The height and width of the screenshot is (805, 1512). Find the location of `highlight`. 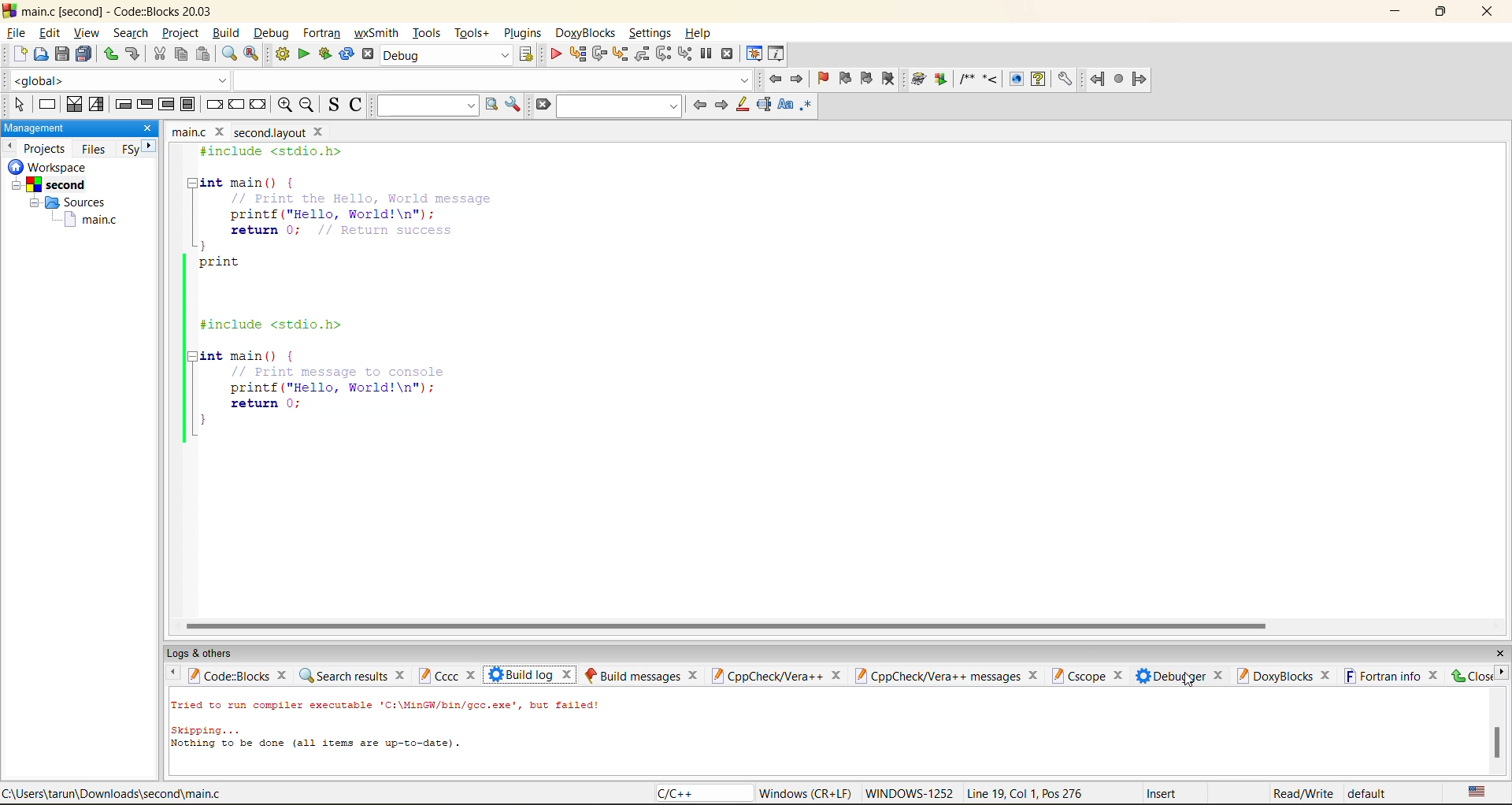

highlight is located at coordinates (742, 108).